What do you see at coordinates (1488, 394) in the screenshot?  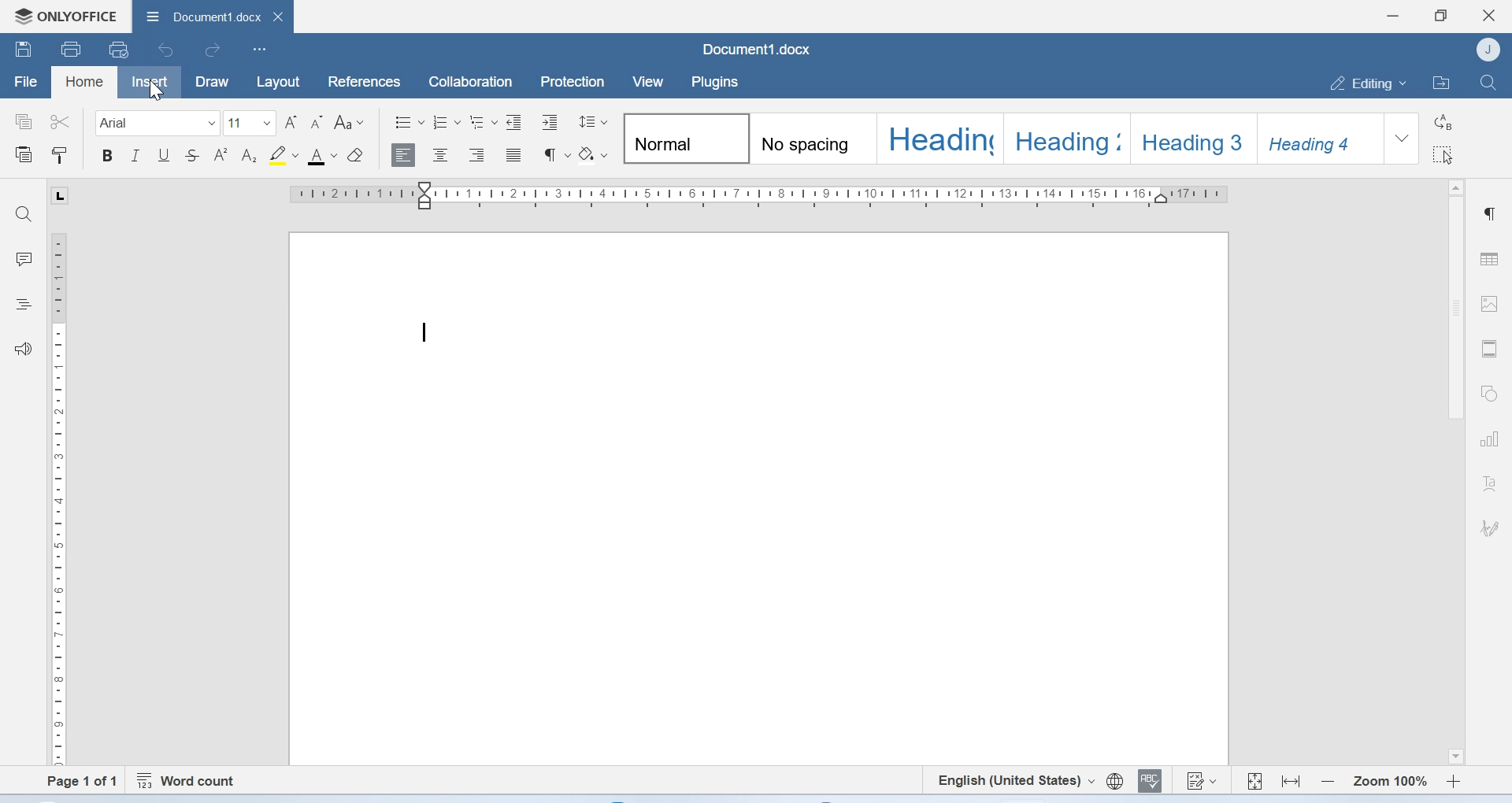 I see `Shapes` at bounding box center [1488, 394].